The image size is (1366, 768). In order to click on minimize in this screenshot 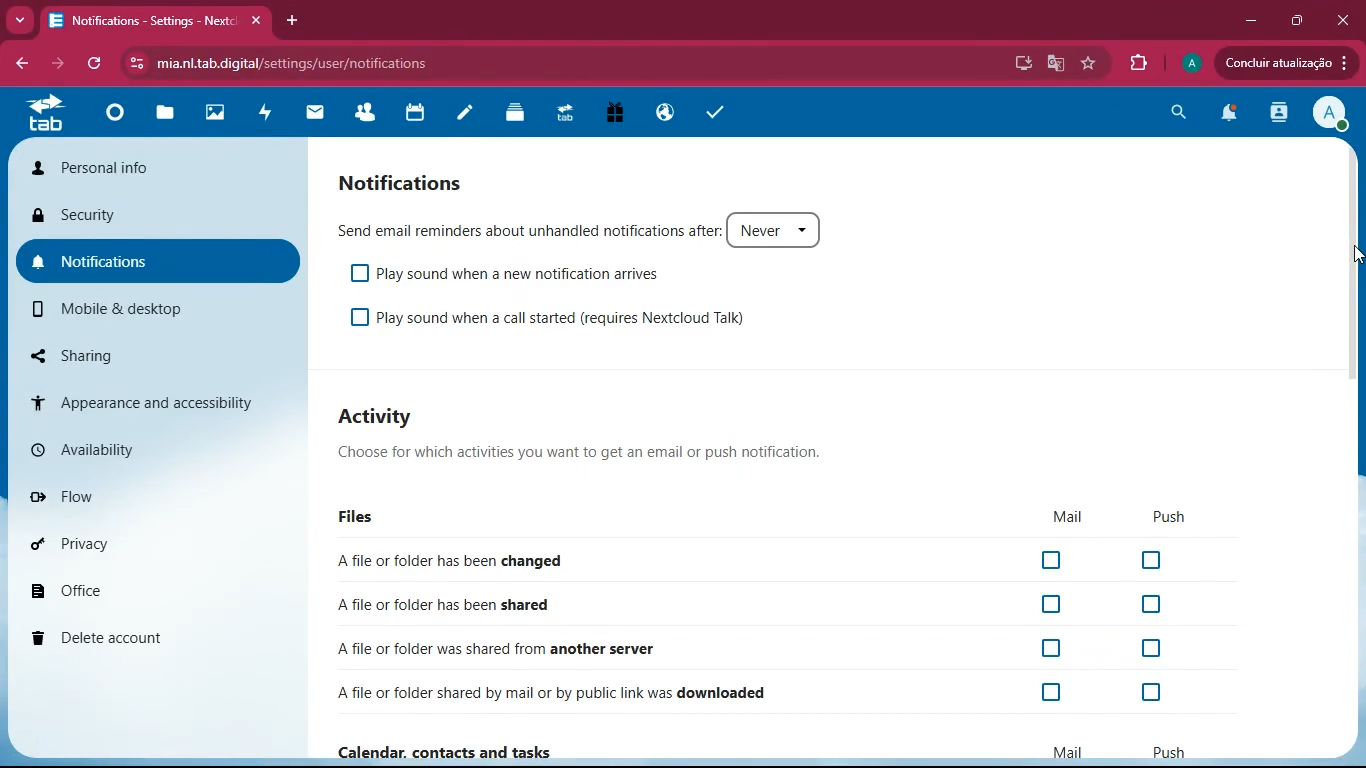, I will do `click(1252, 20)`.